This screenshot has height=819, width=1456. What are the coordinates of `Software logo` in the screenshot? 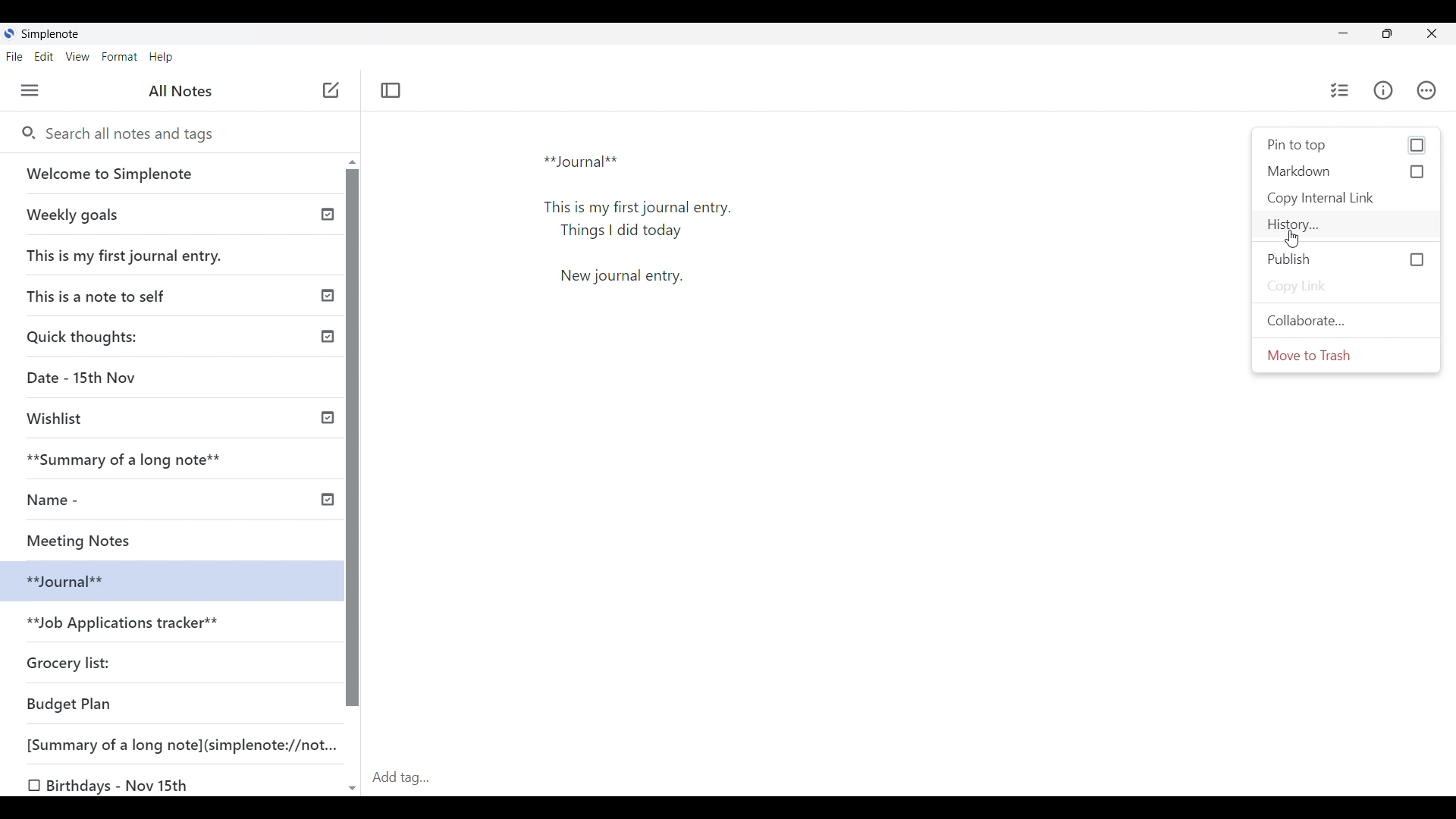 It's located at (9, 33).